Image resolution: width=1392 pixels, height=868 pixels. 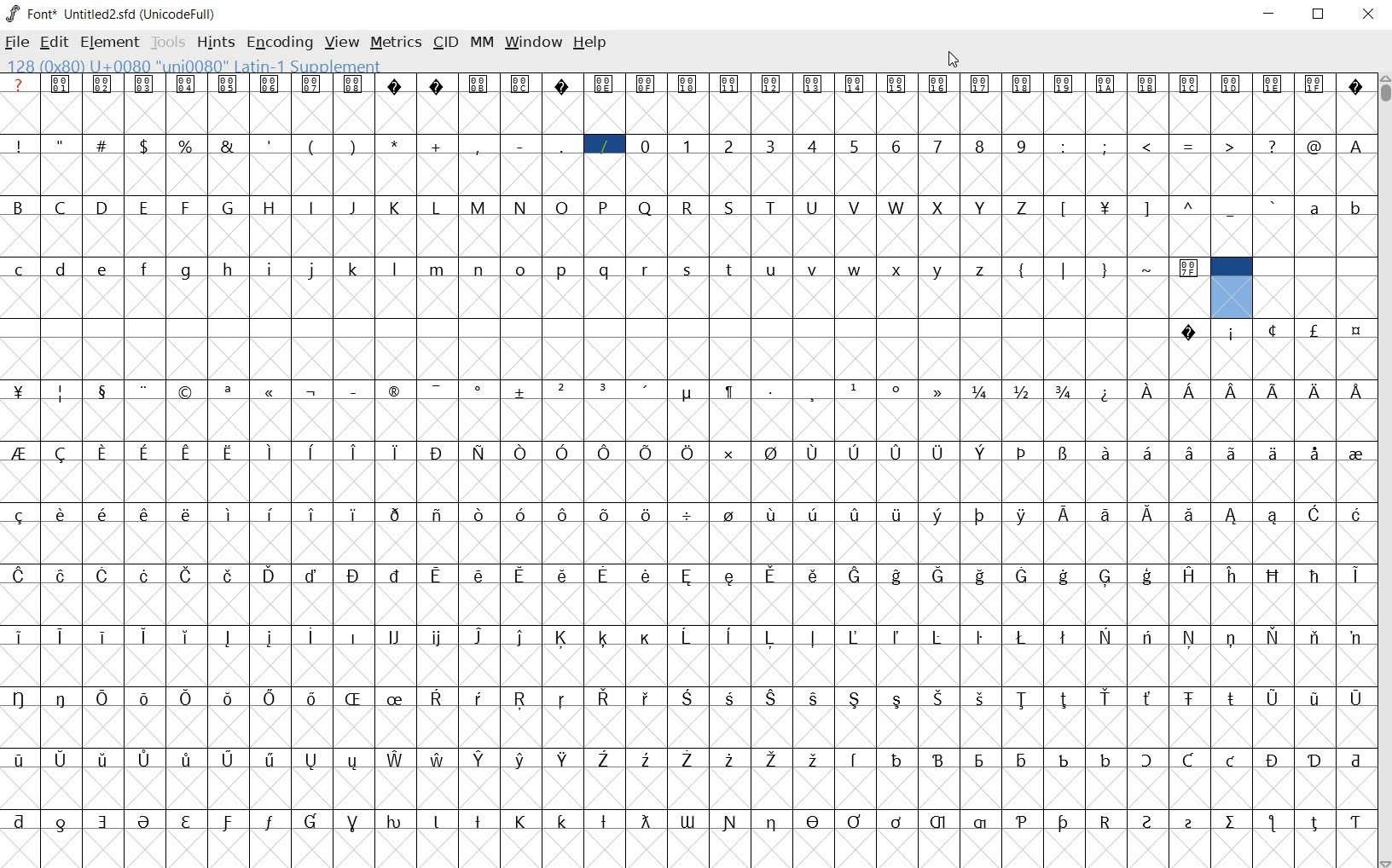 What do you see at coordinates (607, 575) in the screenshot?
I see `Symbol` at bounding box center [607, 575].